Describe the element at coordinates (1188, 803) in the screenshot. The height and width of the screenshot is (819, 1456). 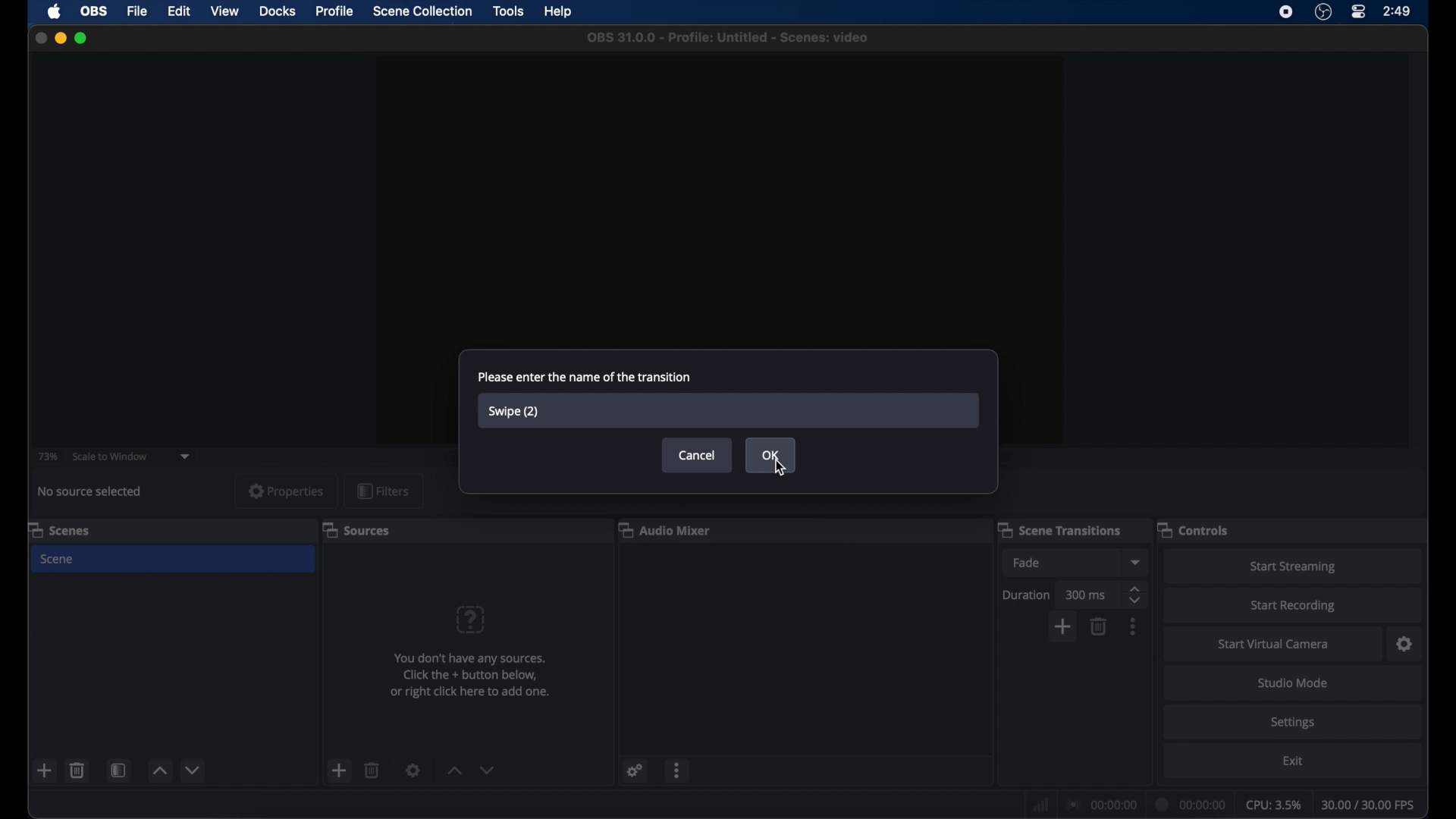
I see `duration` at that location.